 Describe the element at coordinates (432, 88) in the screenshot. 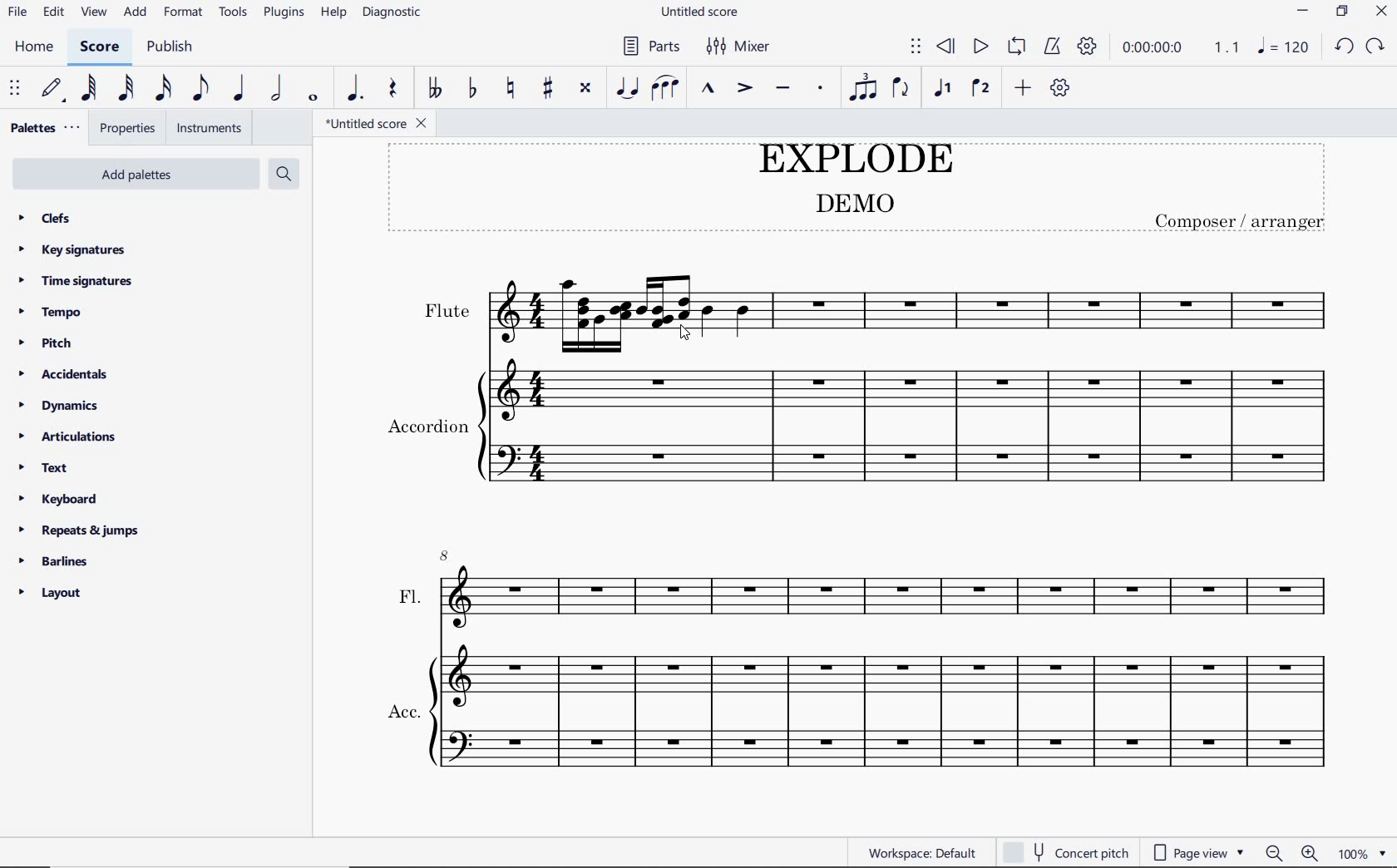

I see `toggle double-flat` at that location.